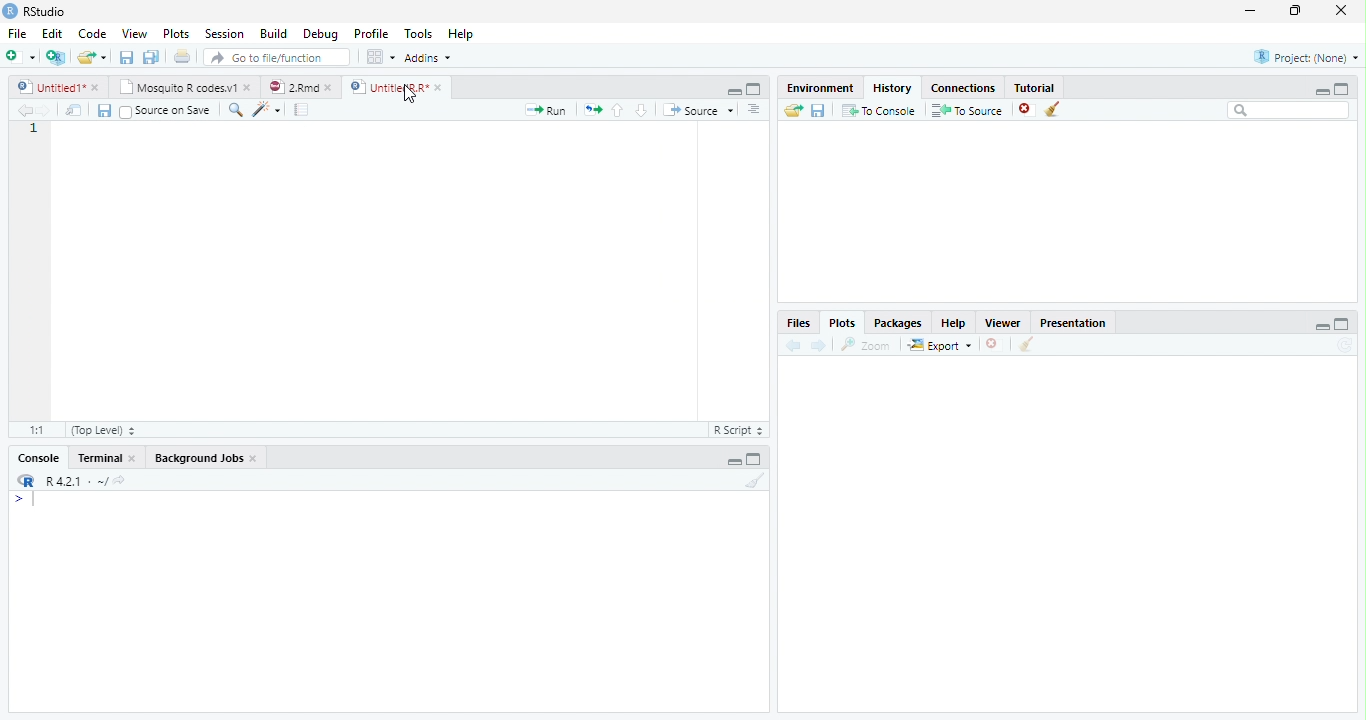 The image size is (1366, 720). Describe the element at coordinates (793, 111) in the screenshot. I see `Load history from an existing file` at that location.